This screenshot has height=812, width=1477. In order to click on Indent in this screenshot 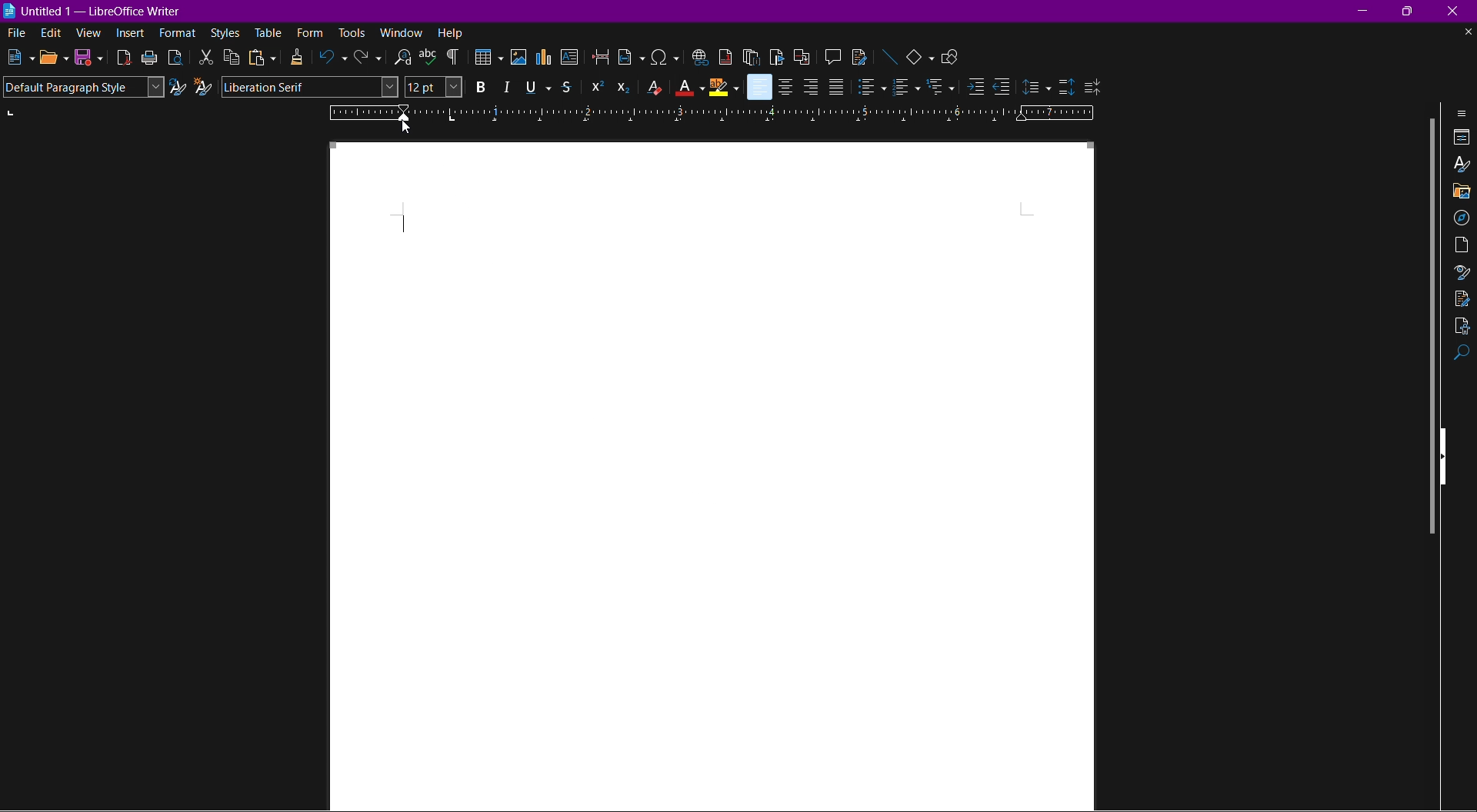, I will do `click(453, 58)`.